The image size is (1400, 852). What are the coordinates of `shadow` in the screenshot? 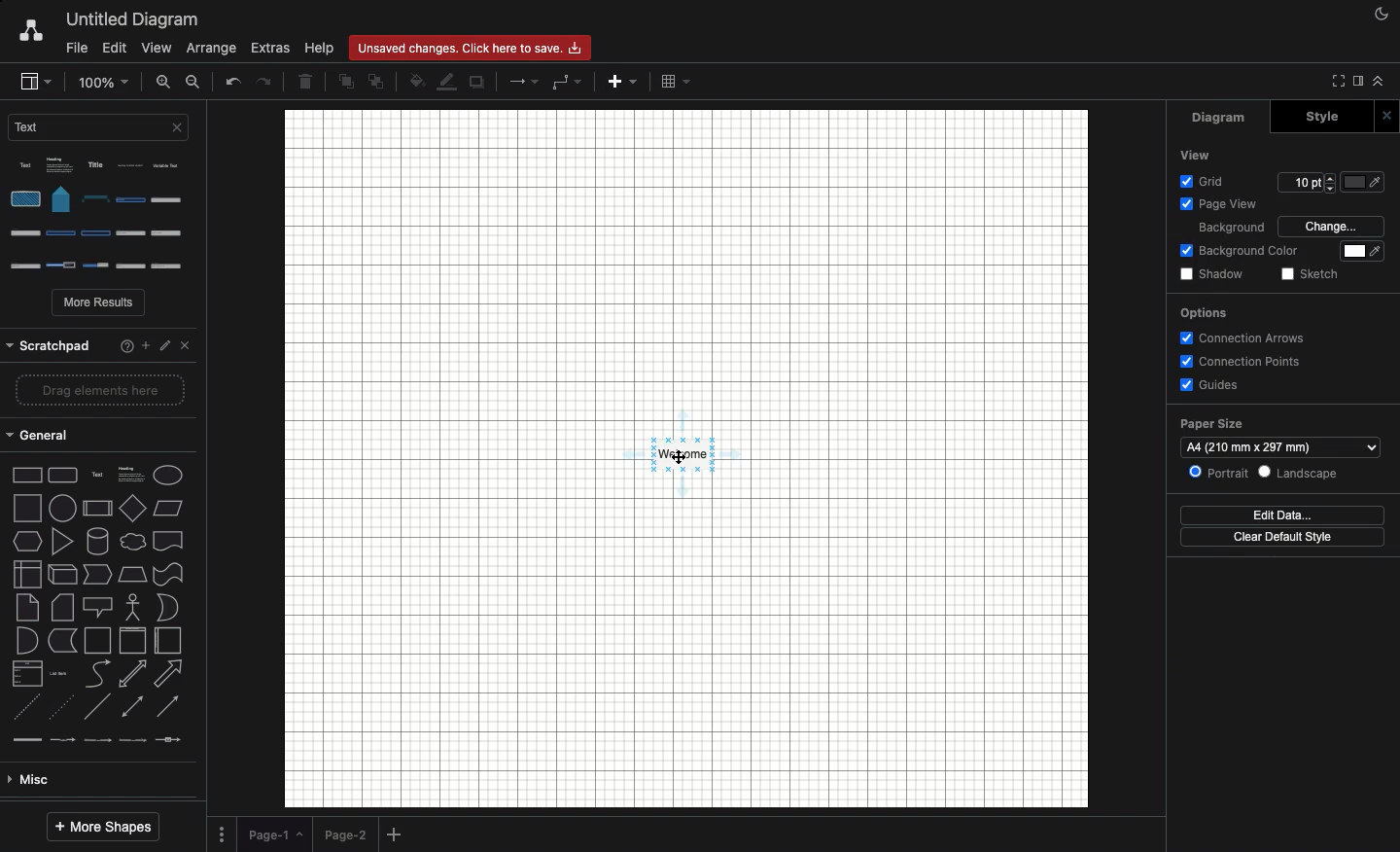 It's located at (1218, 274).